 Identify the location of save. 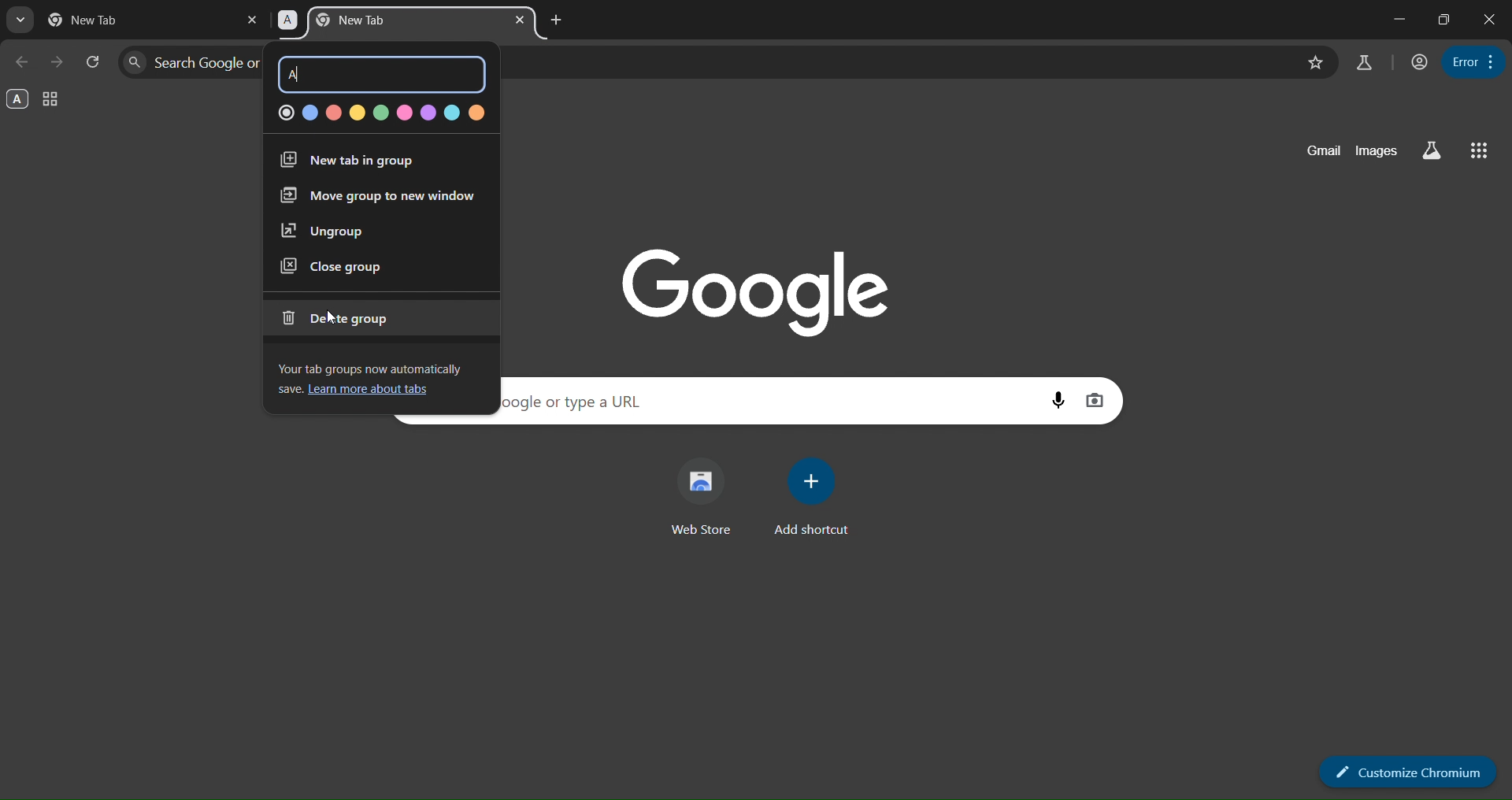
(287, 391).